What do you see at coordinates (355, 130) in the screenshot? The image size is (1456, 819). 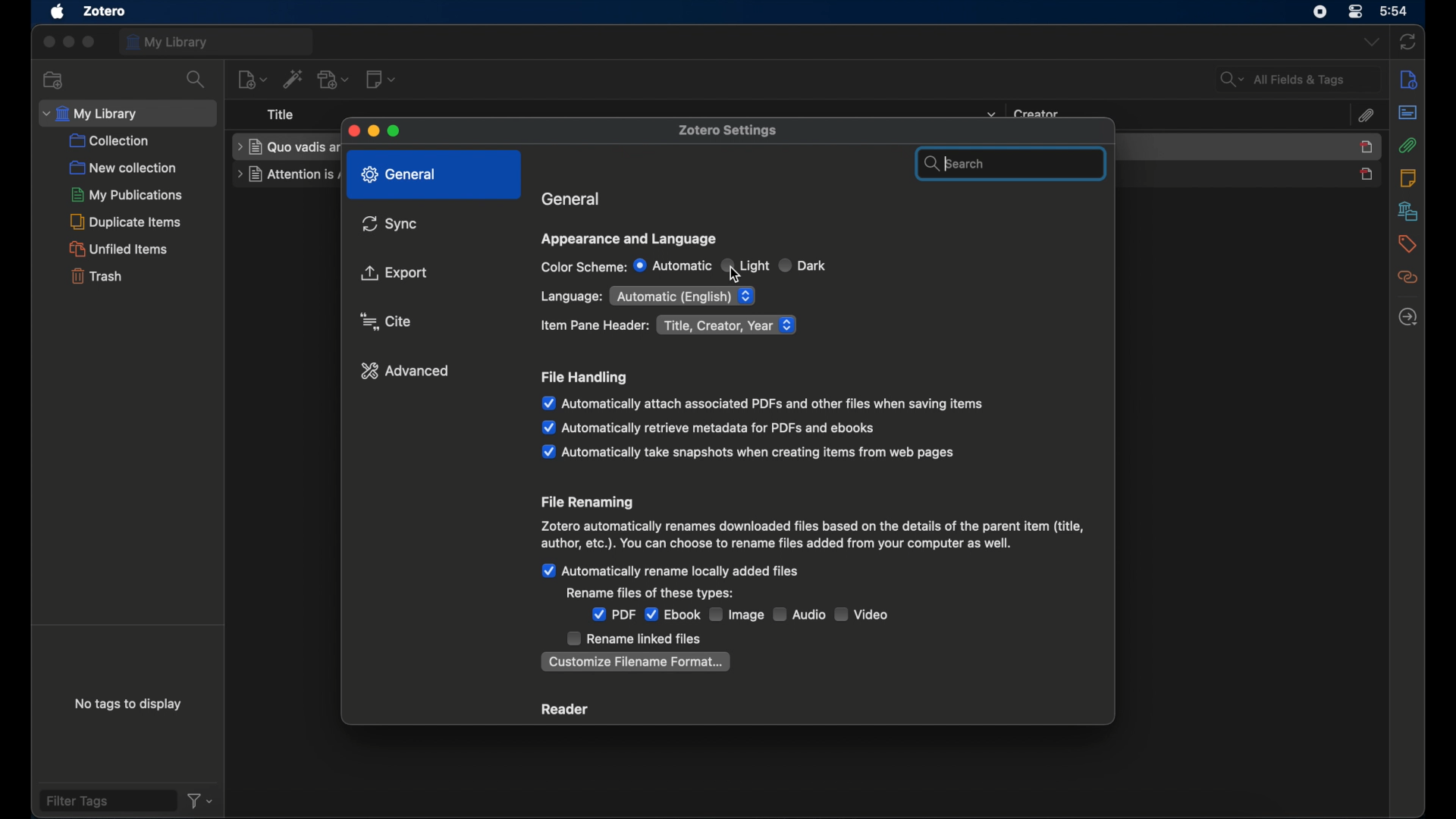 I see `close` at bounding box center [355, 130].